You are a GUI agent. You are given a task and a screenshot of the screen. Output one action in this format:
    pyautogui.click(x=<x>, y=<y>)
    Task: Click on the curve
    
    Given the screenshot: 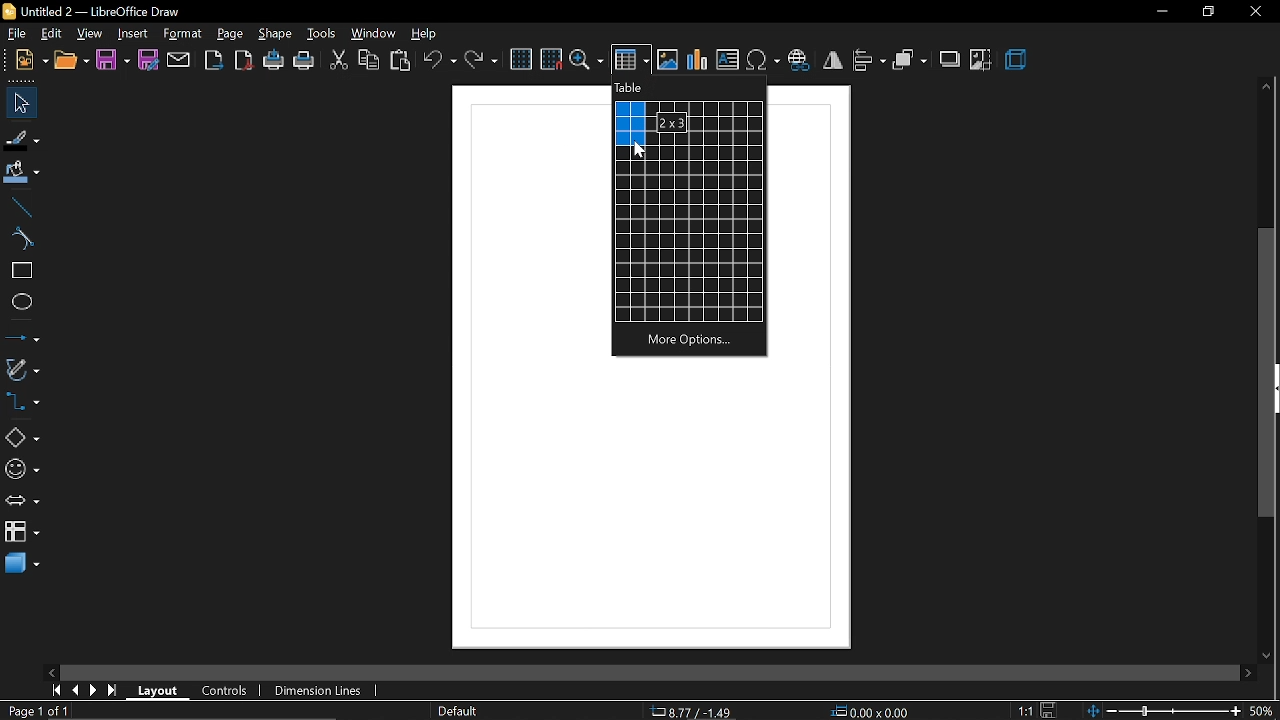 What is the action you would take?
    pyautogui.click(x=22, y=239)
    